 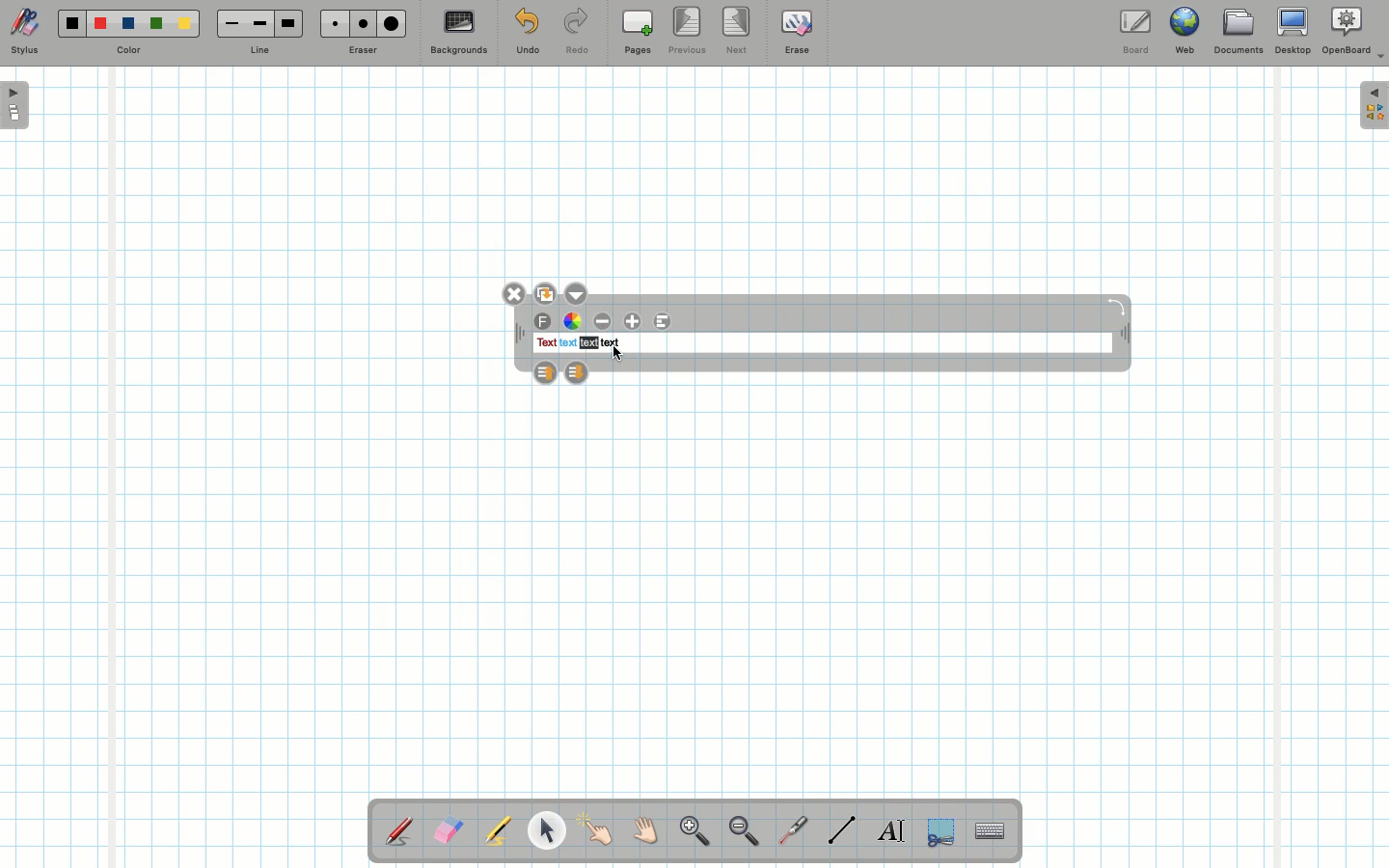 I want to click on Small line, so click(x=229, y=24).